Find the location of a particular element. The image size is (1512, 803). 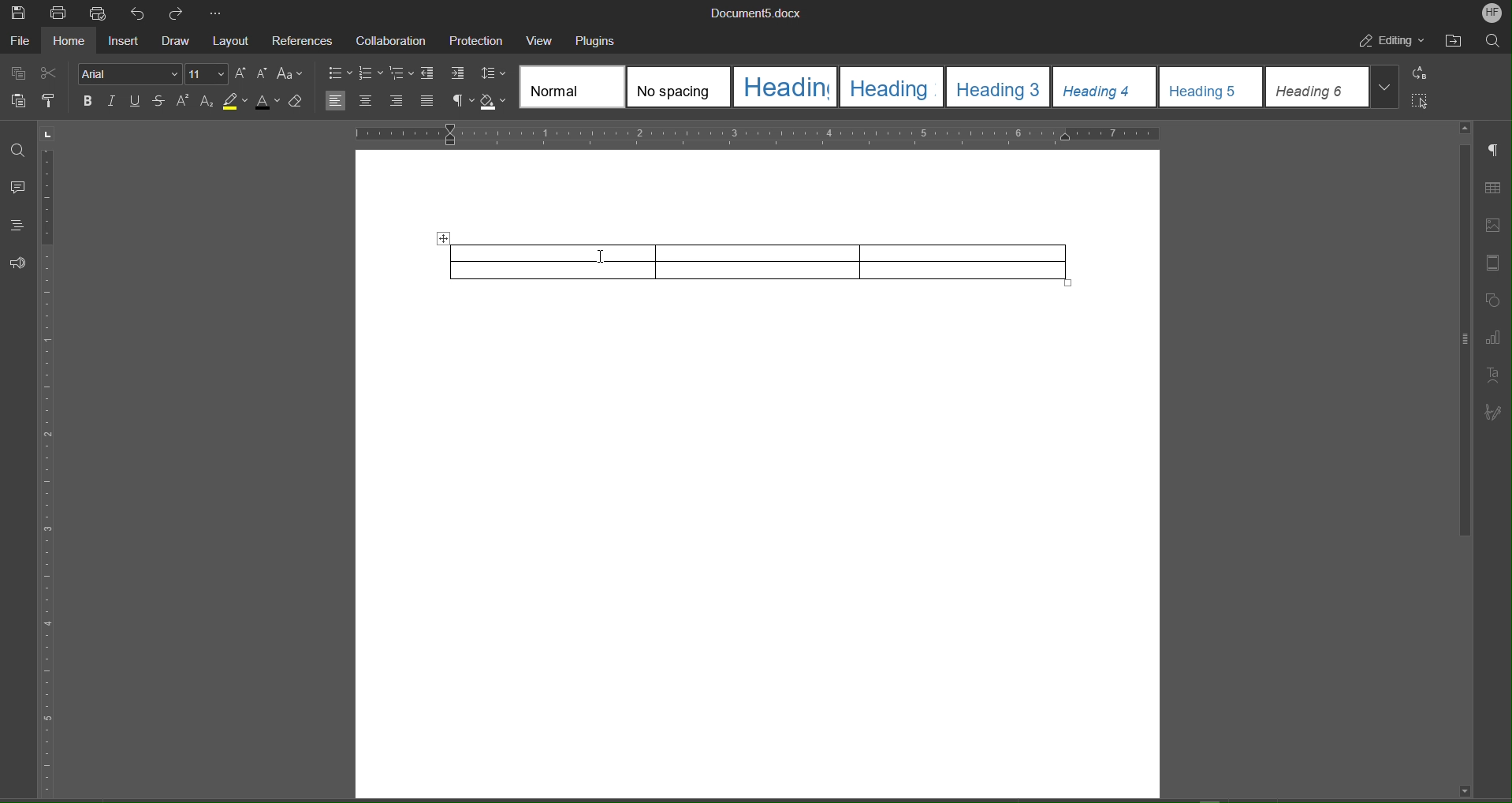

File is located at coordinates (20, 43).